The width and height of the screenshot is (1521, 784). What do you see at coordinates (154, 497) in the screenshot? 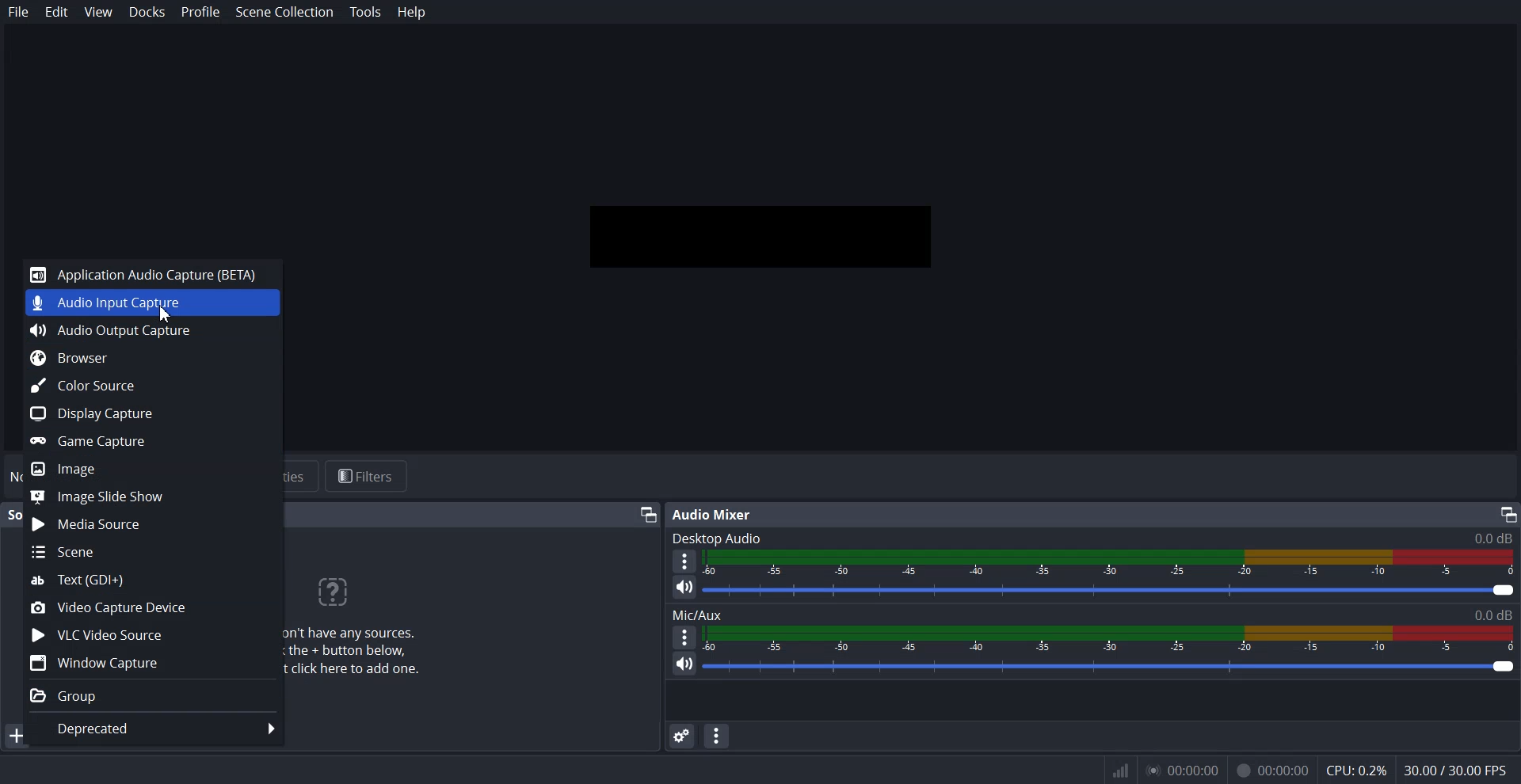
I see `Image slide show` at bounding box center [154, 497].